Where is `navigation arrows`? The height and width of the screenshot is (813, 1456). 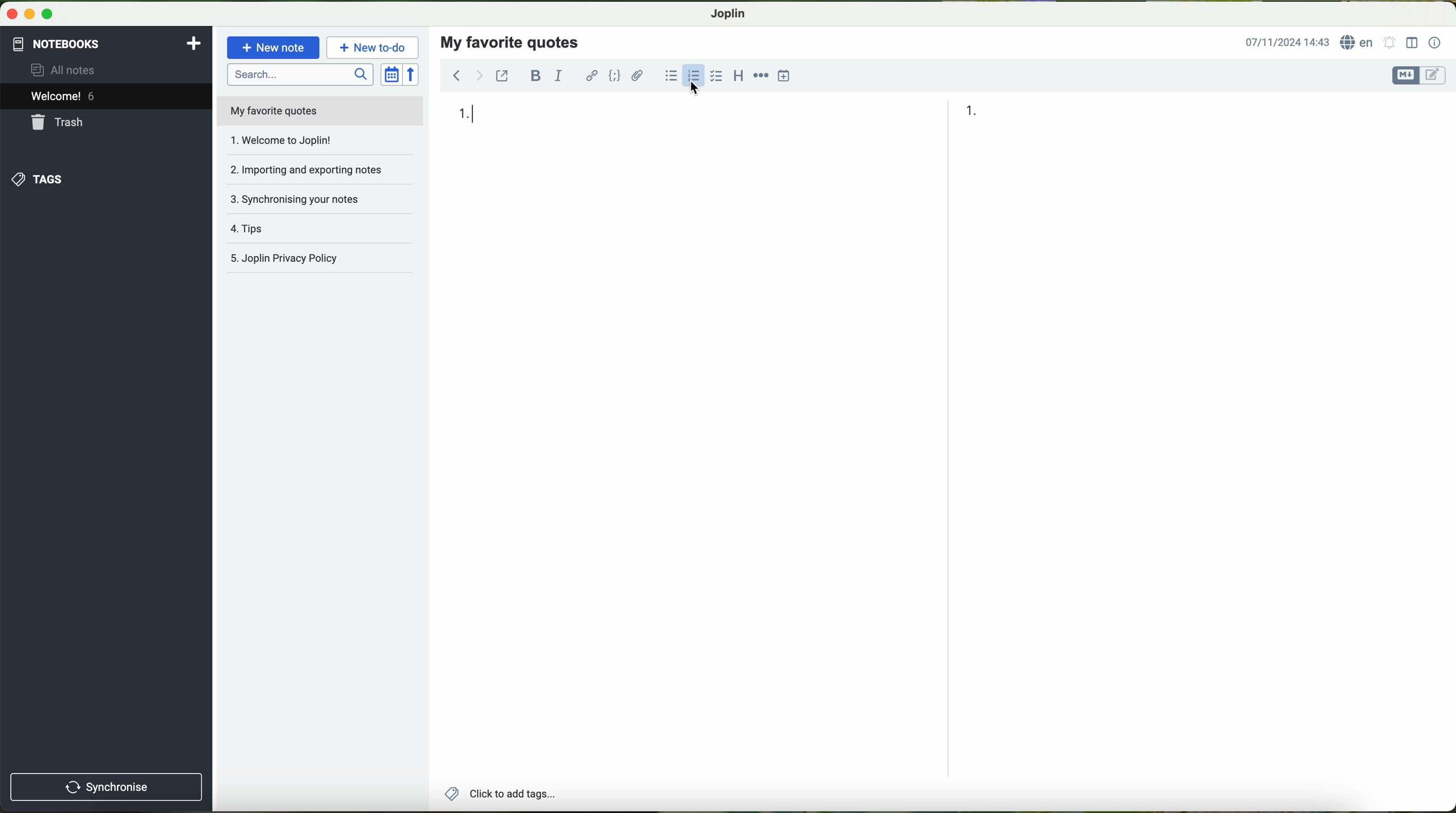
navigation arrows is located at coordinates (463, 75).